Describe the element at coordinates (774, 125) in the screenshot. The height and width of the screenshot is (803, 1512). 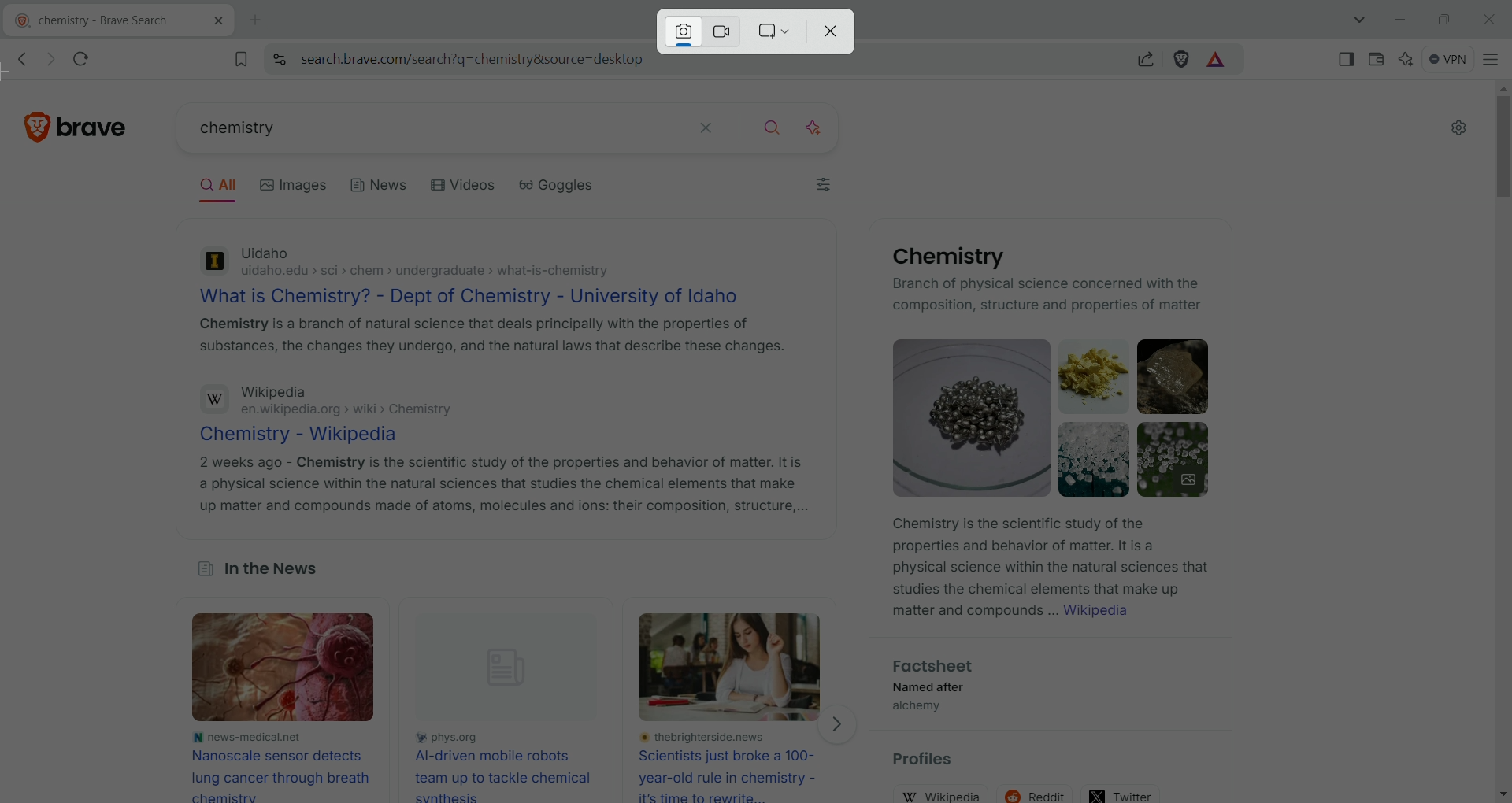
I see `search` at that location.